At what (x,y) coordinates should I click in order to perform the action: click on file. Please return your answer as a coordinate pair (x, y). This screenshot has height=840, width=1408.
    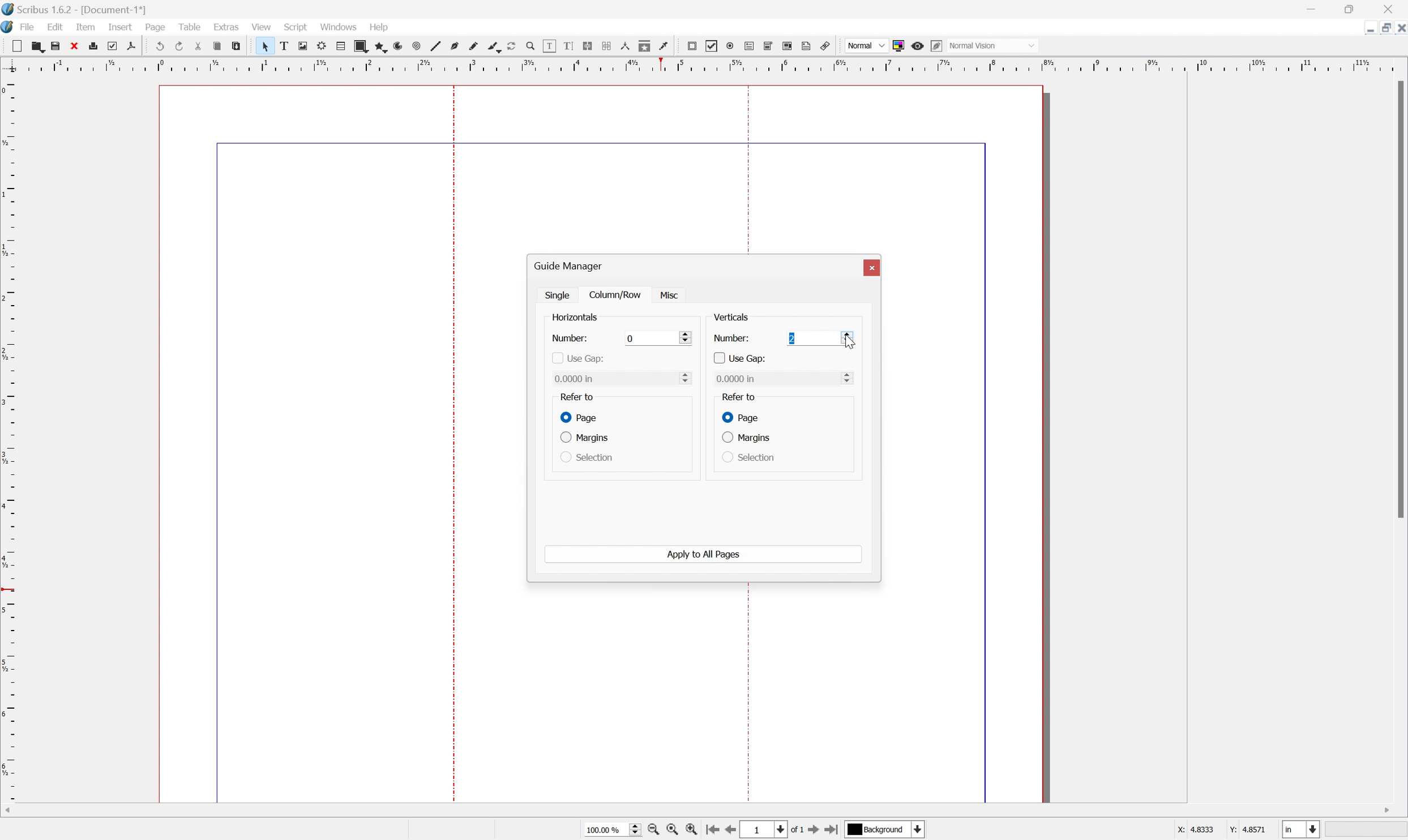
    Looking at the image, I should click on (27, 27).